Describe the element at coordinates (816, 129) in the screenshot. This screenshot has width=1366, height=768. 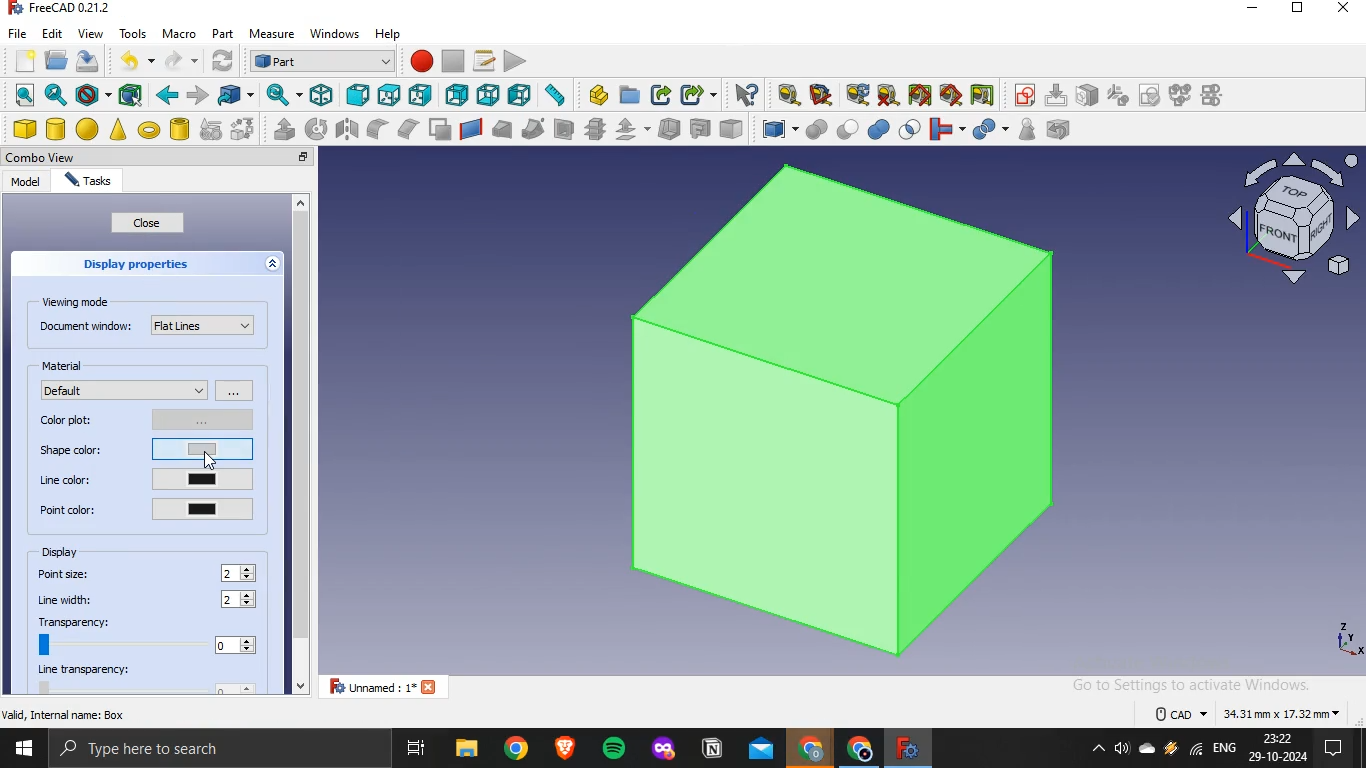
I see `boolean` at that location.